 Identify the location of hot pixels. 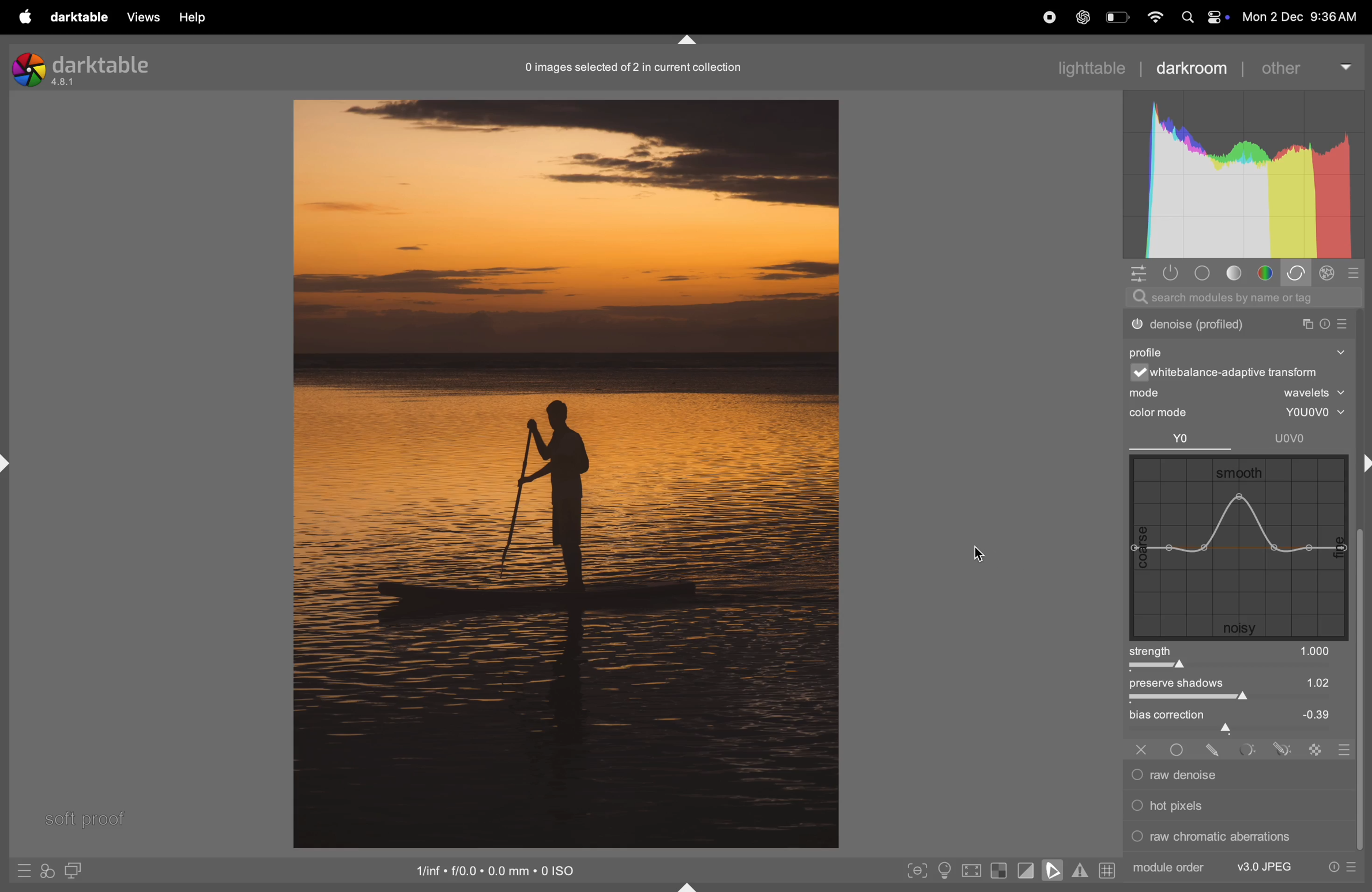
(1235, 804).